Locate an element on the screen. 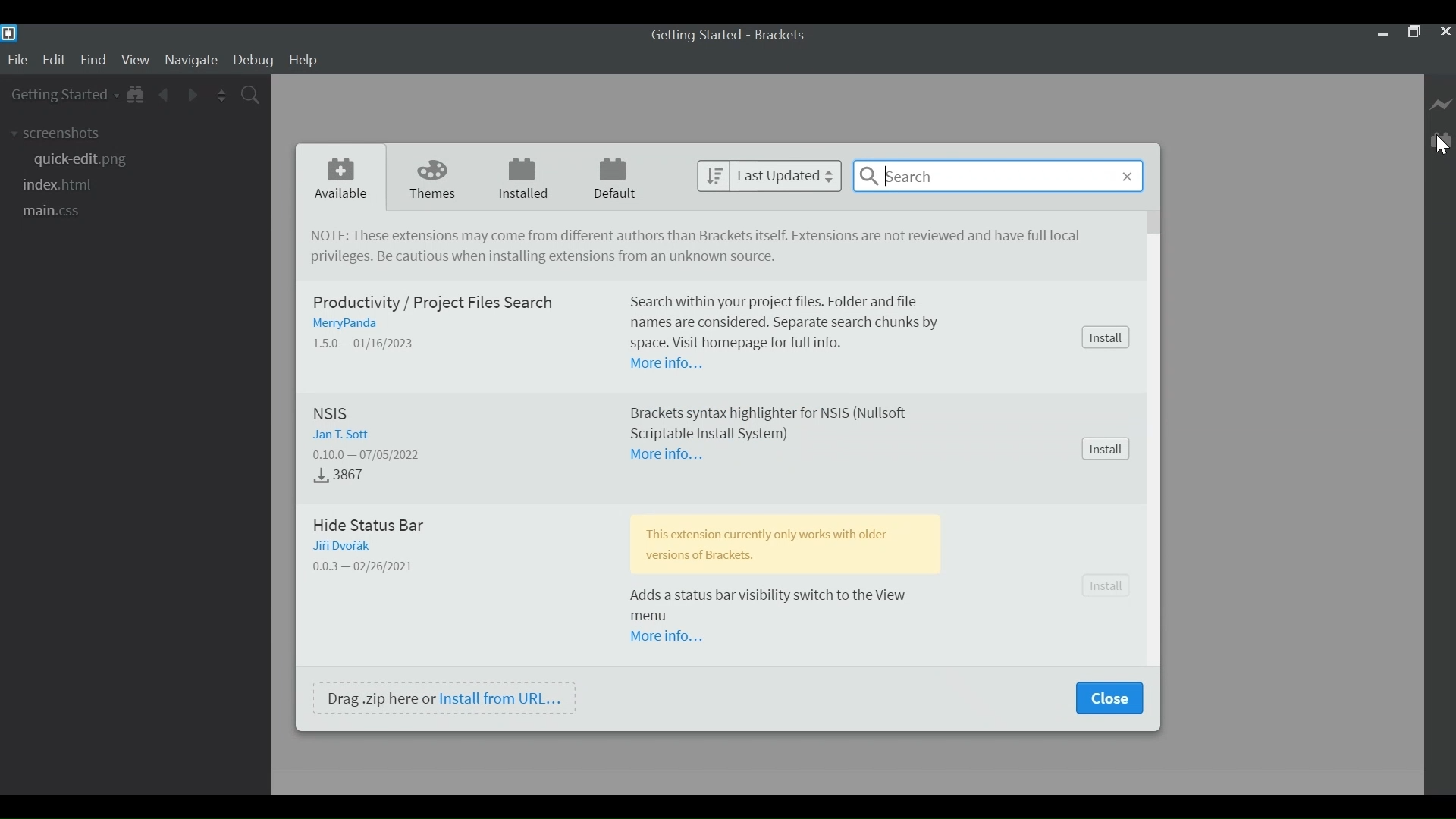 The width and height of the screenshot is (1456, 819). screenshots is located at coordinates (58, 134).